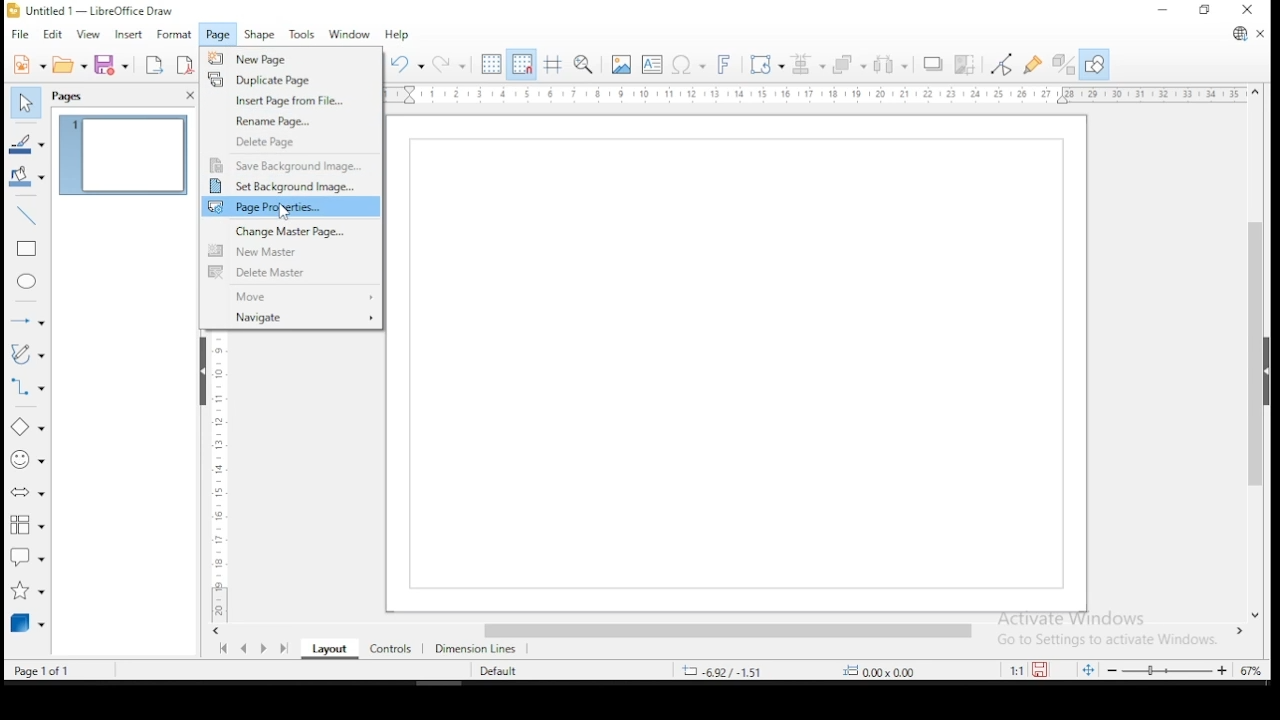 The height and width of the screenshot is (720, 1280). Describe the element at coordinates (1252, 669) in the screenshot. I see `zoom factor` at that location.